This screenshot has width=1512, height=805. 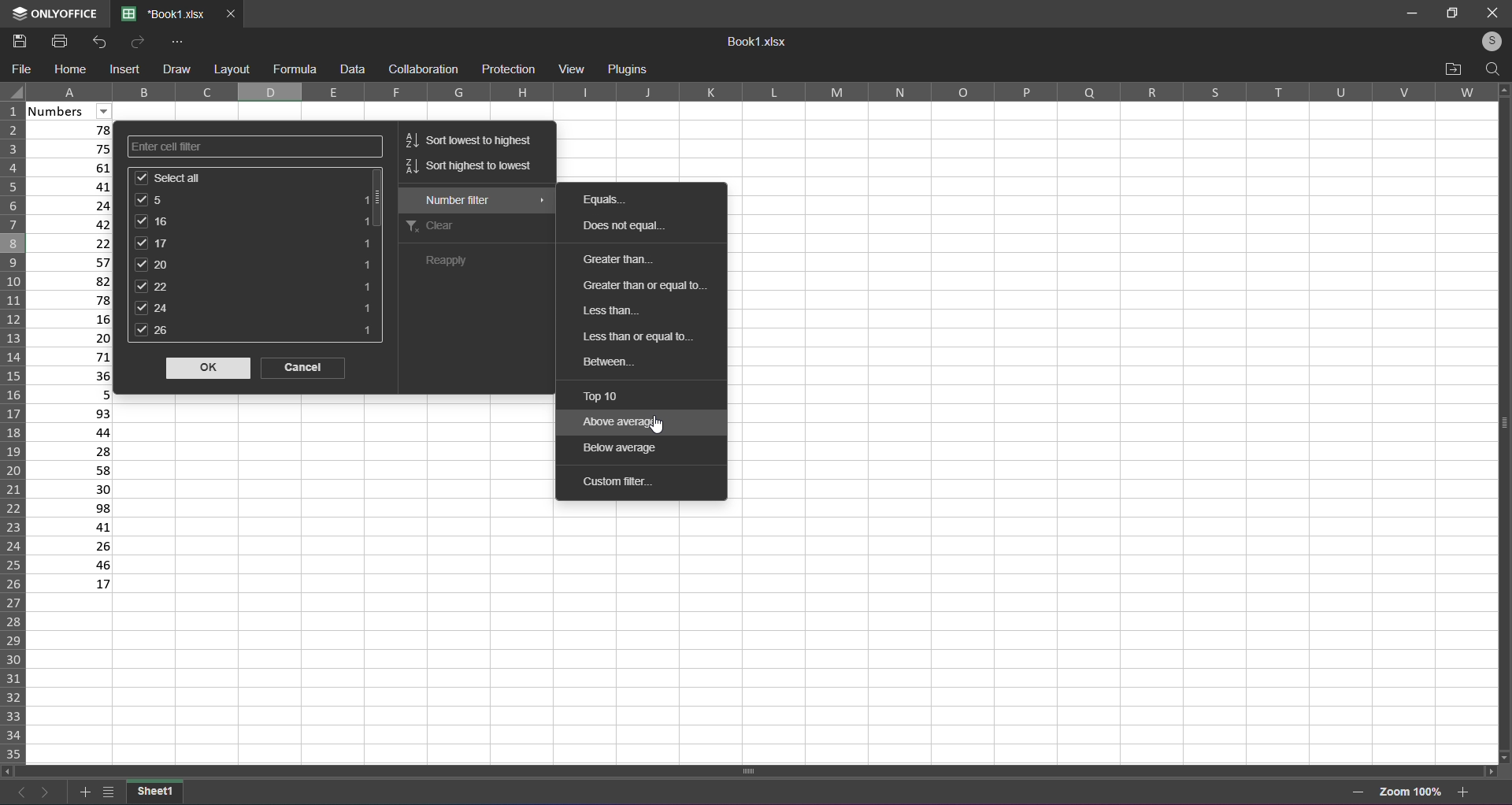 What do you see at coordinates (421, 69) in the screenshot?
I see `collaboration` at bounding box center [421, 69].